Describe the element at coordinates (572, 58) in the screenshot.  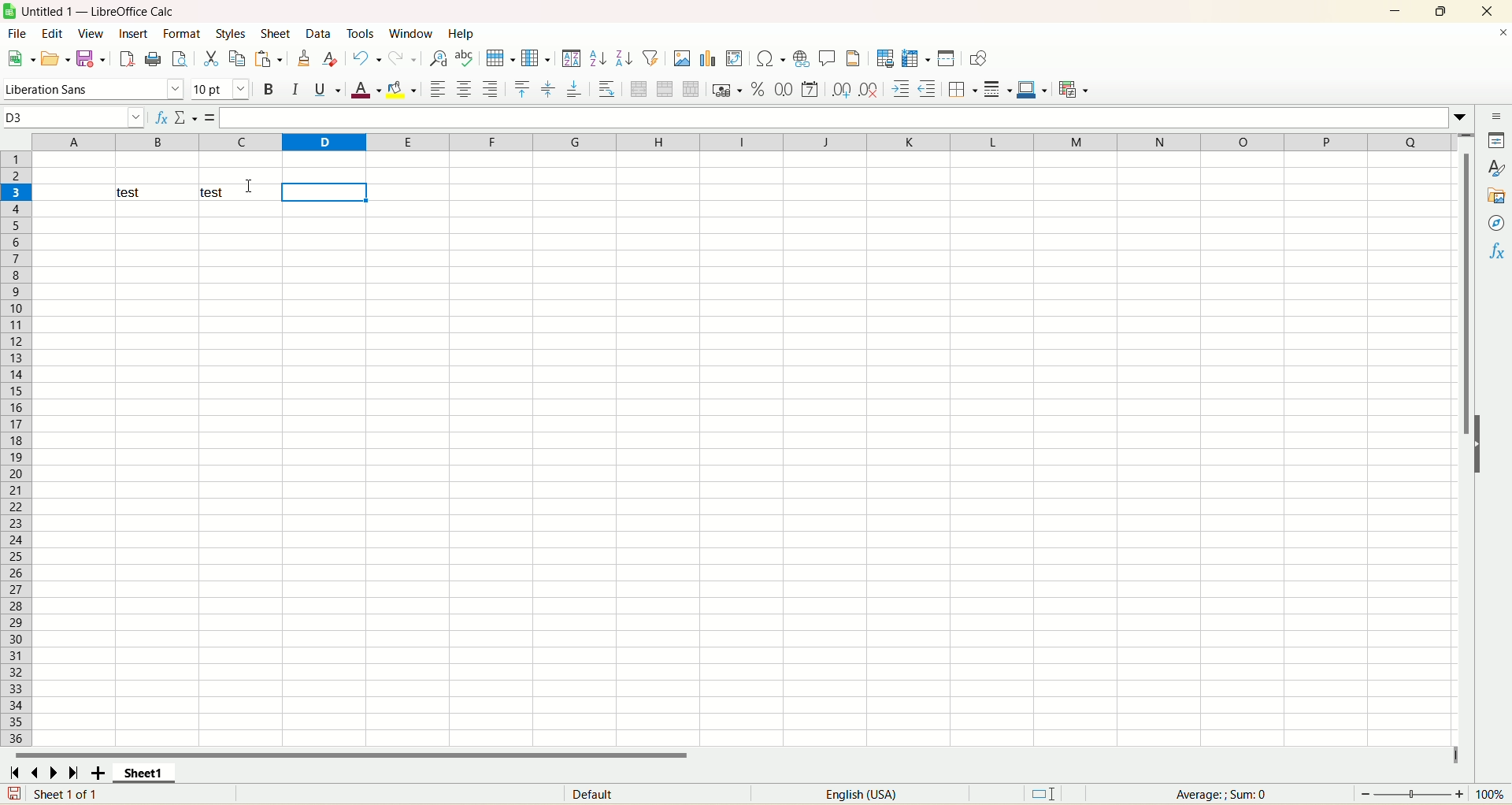
I see `sort` at that location.